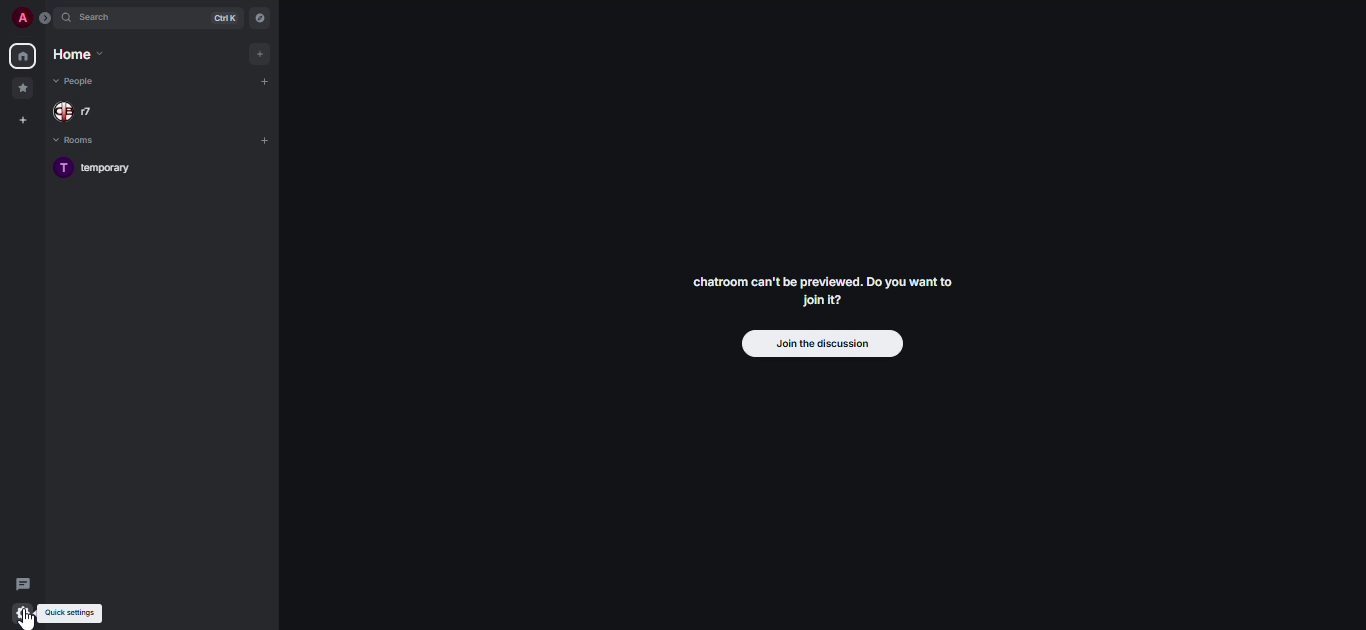  I want to click on rooms, so click(72, 142).